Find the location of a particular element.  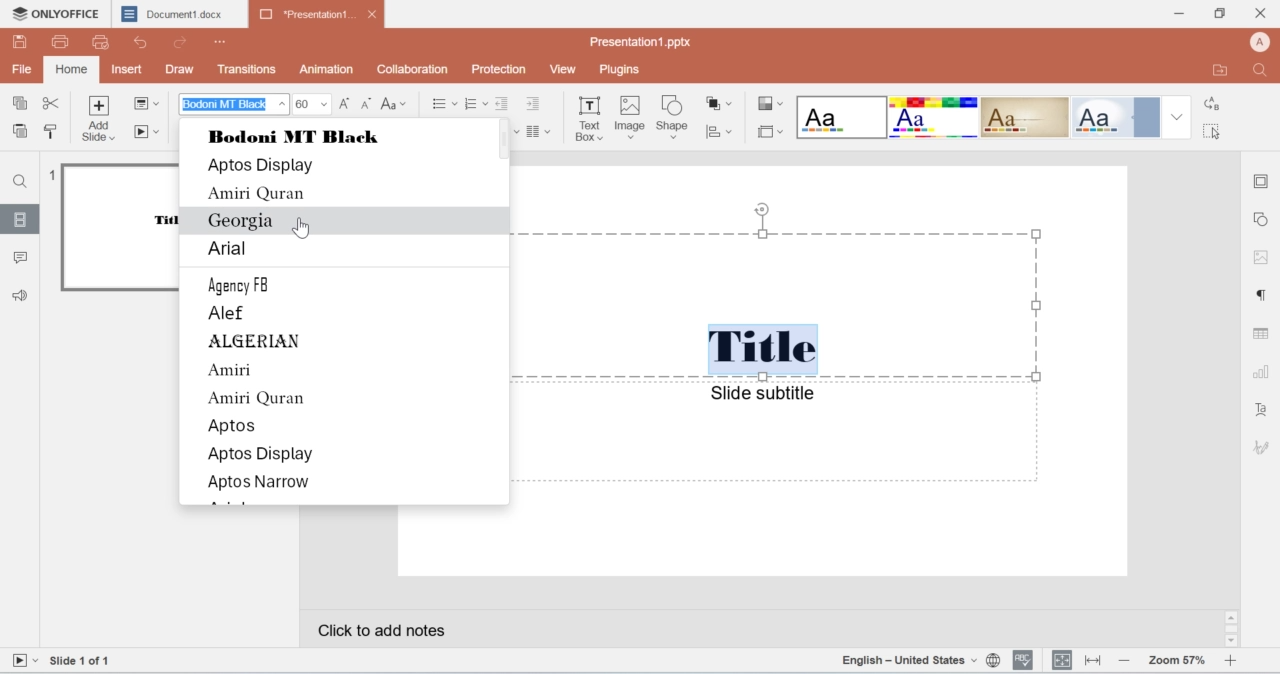

Presentation1 is located at coordinates (317, 15).